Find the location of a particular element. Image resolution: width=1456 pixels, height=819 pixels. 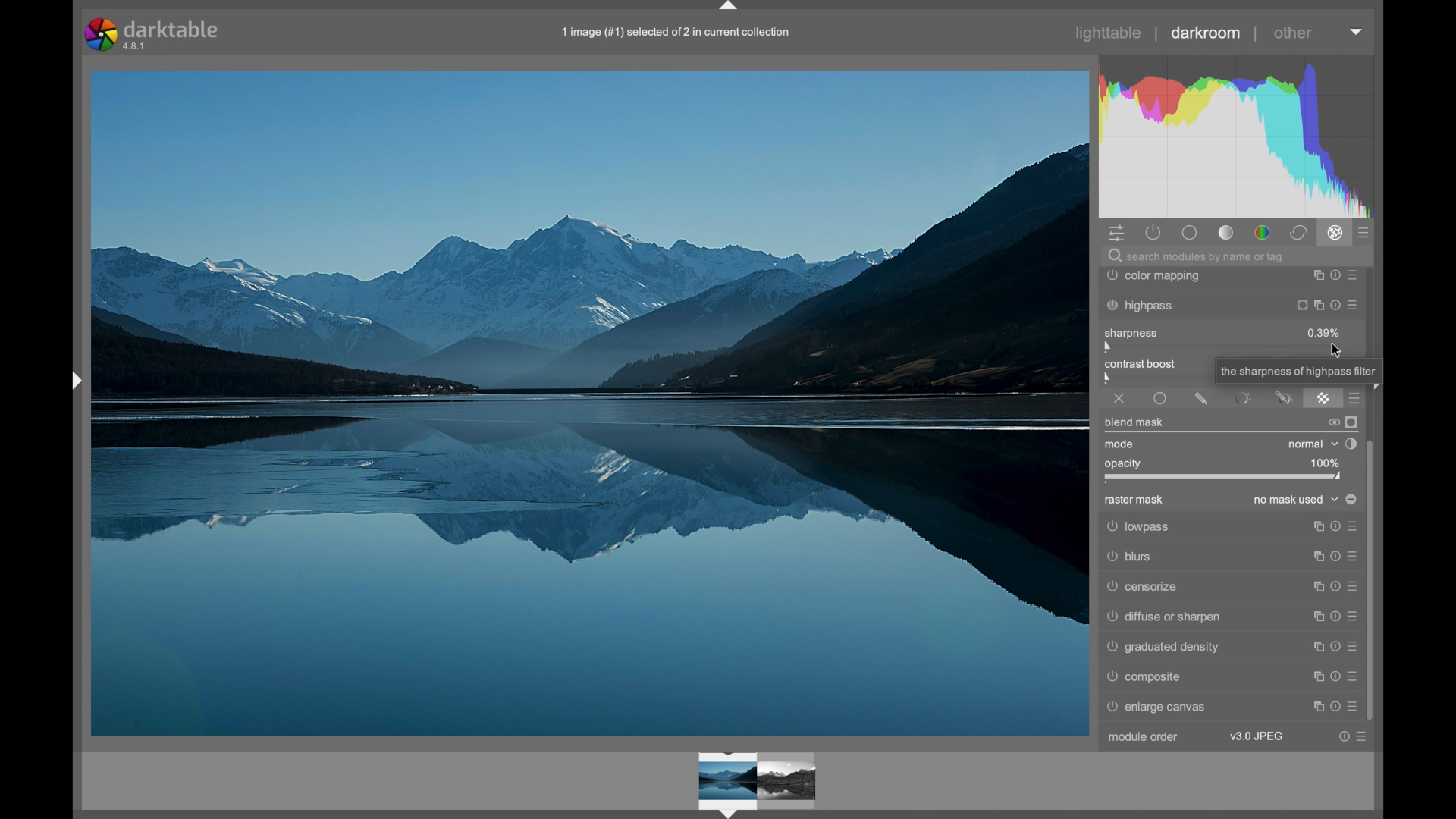

more options is located at coordinates (1351, 737).